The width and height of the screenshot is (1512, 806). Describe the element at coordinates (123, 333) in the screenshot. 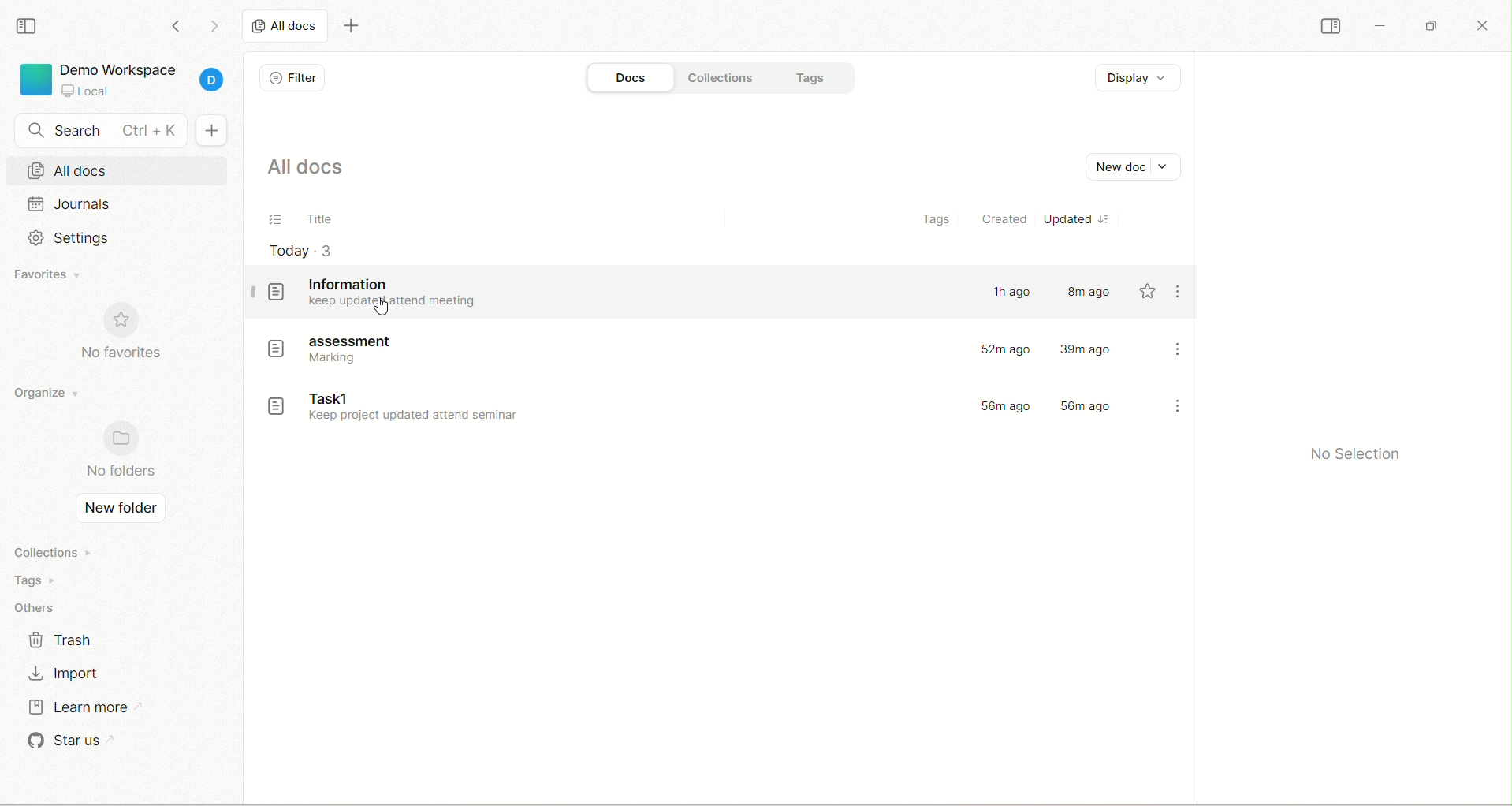

I see `no favorites` at that location.